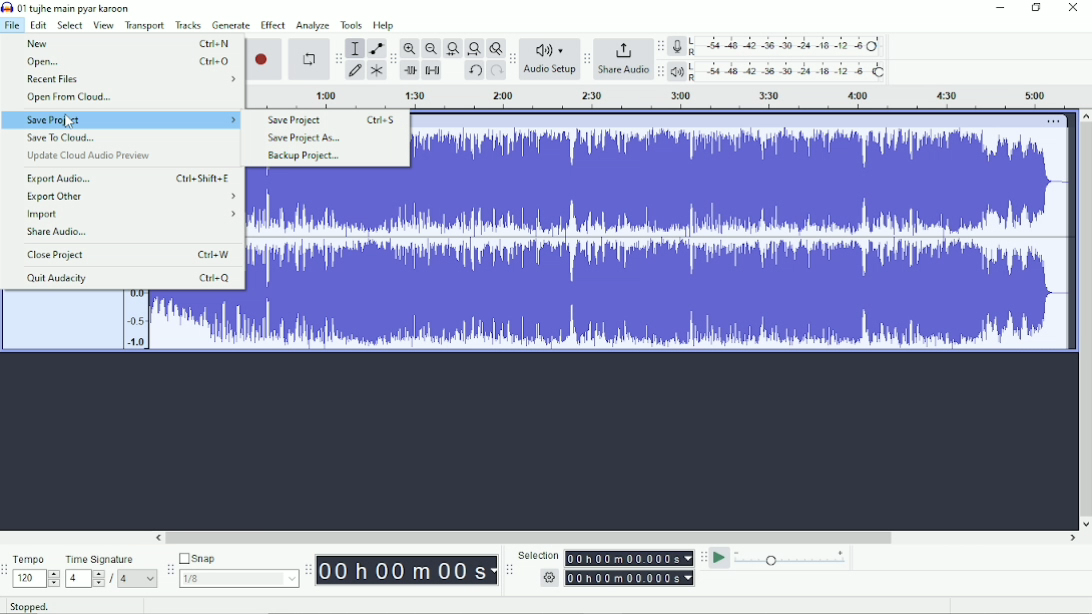 The width and height of the screenshot is (1092, 614). What do you see at coordinates (550, 58) in the screenshot?
I see `Audio Setup` at bounding box center [550, 58].